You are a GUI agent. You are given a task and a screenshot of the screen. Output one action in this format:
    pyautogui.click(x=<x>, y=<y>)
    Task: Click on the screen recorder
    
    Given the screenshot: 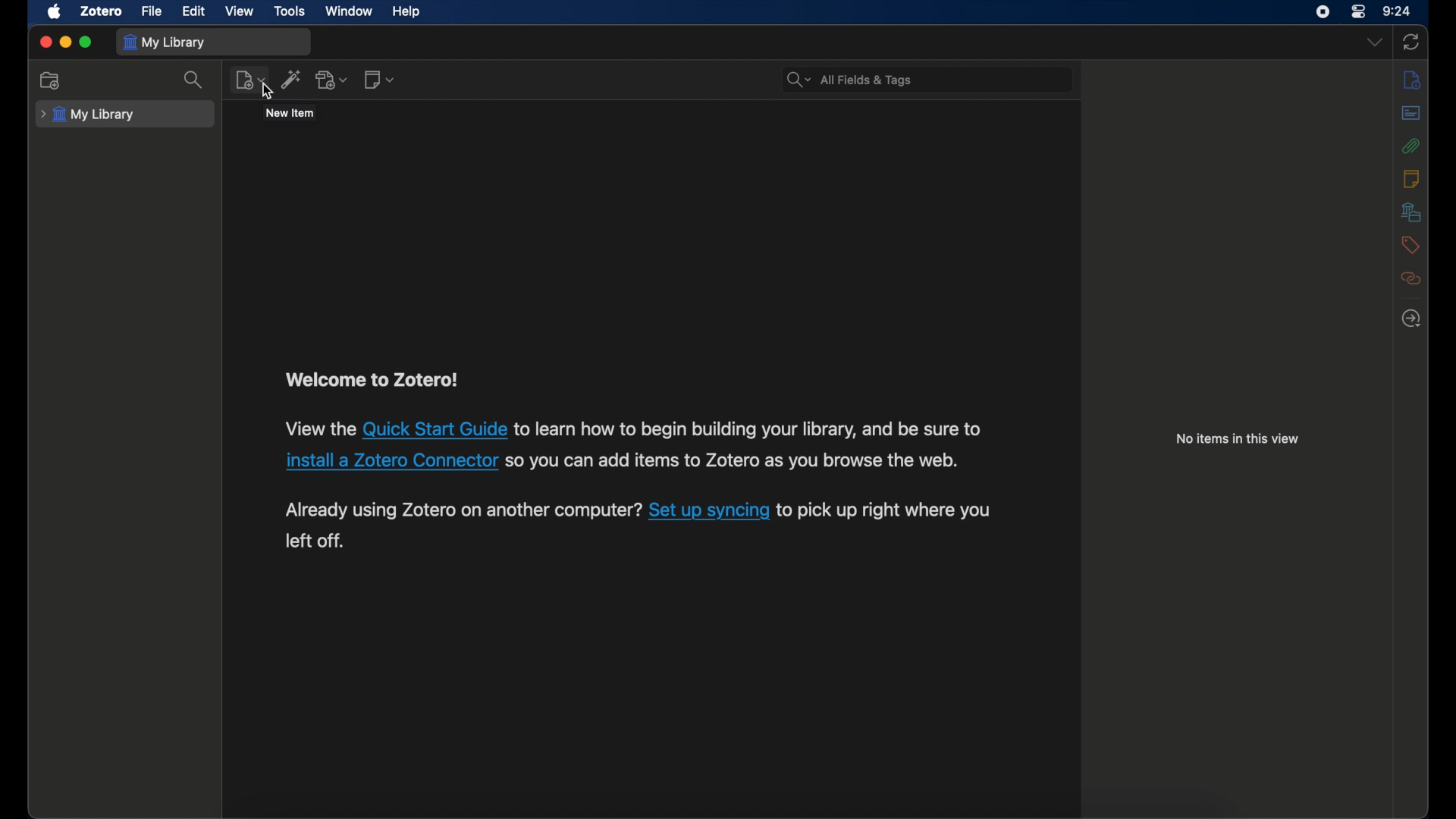 What is the action you would take?
    pyautogui.click(x=1323, y=12)
    